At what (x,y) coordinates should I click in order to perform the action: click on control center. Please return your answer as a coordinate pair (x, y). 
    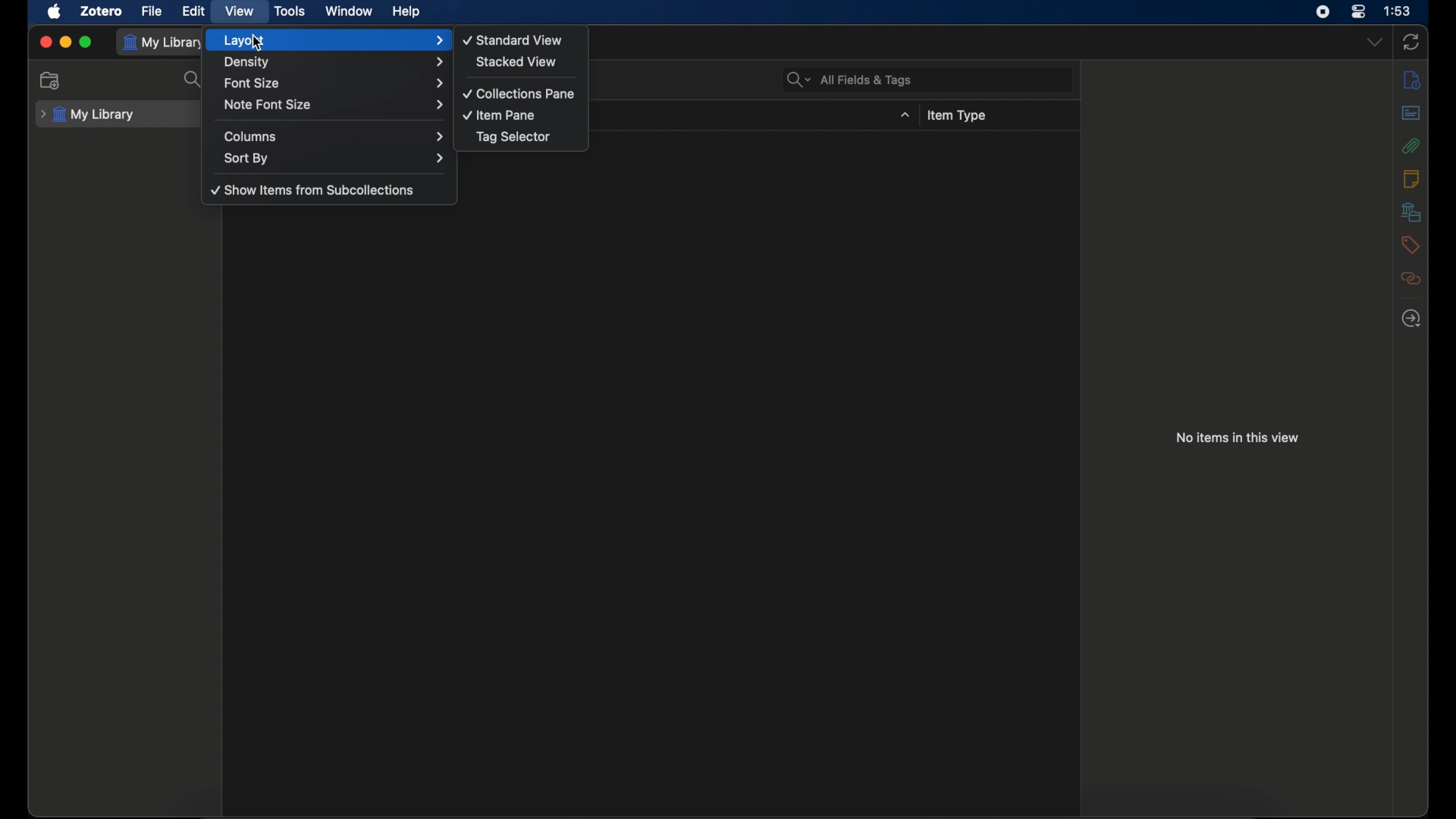
    Looking at the image, I should click on (1359, 11).